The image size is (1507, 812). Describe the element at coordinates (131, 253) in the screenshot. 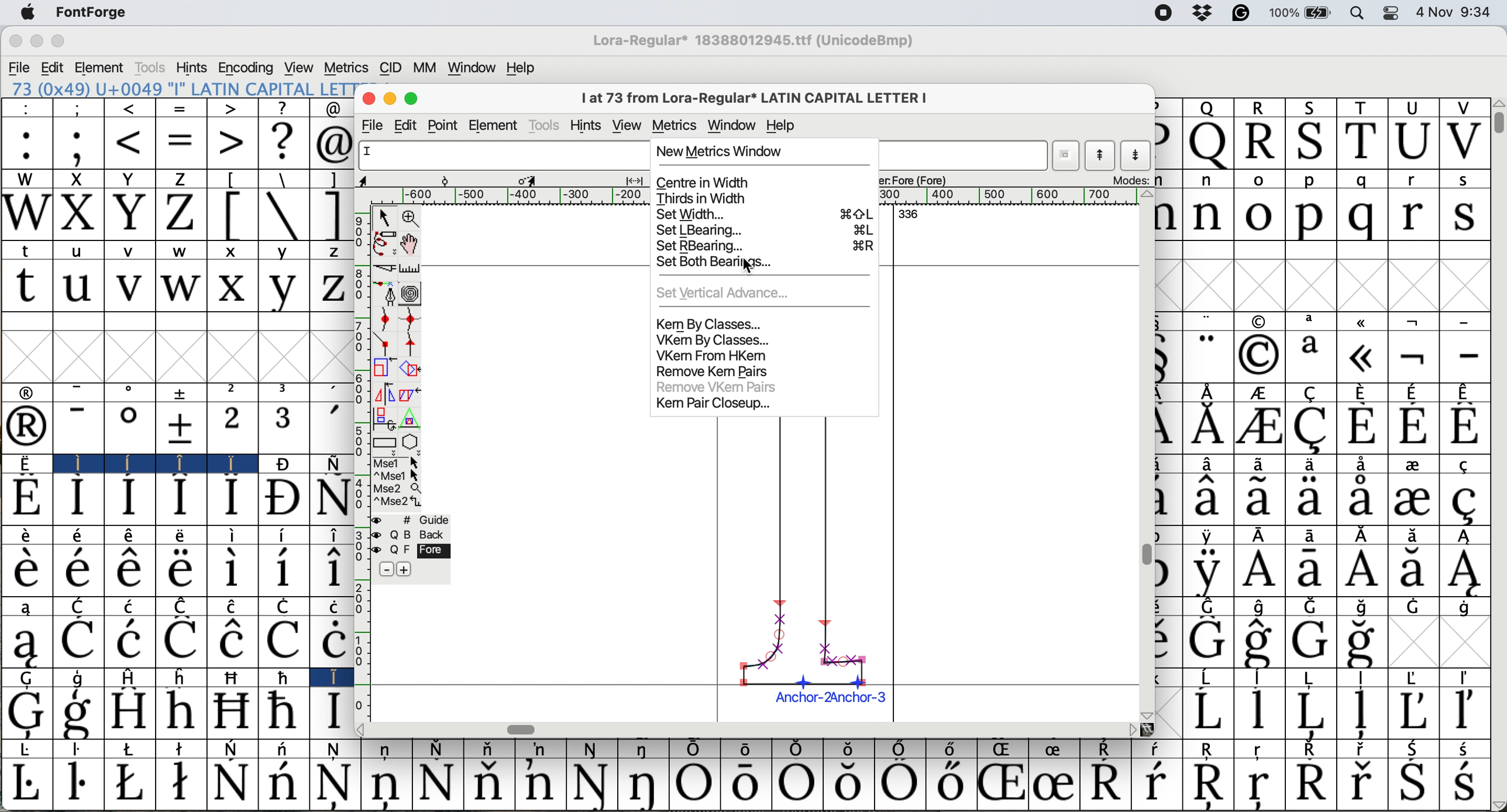

I see `v` at that location.